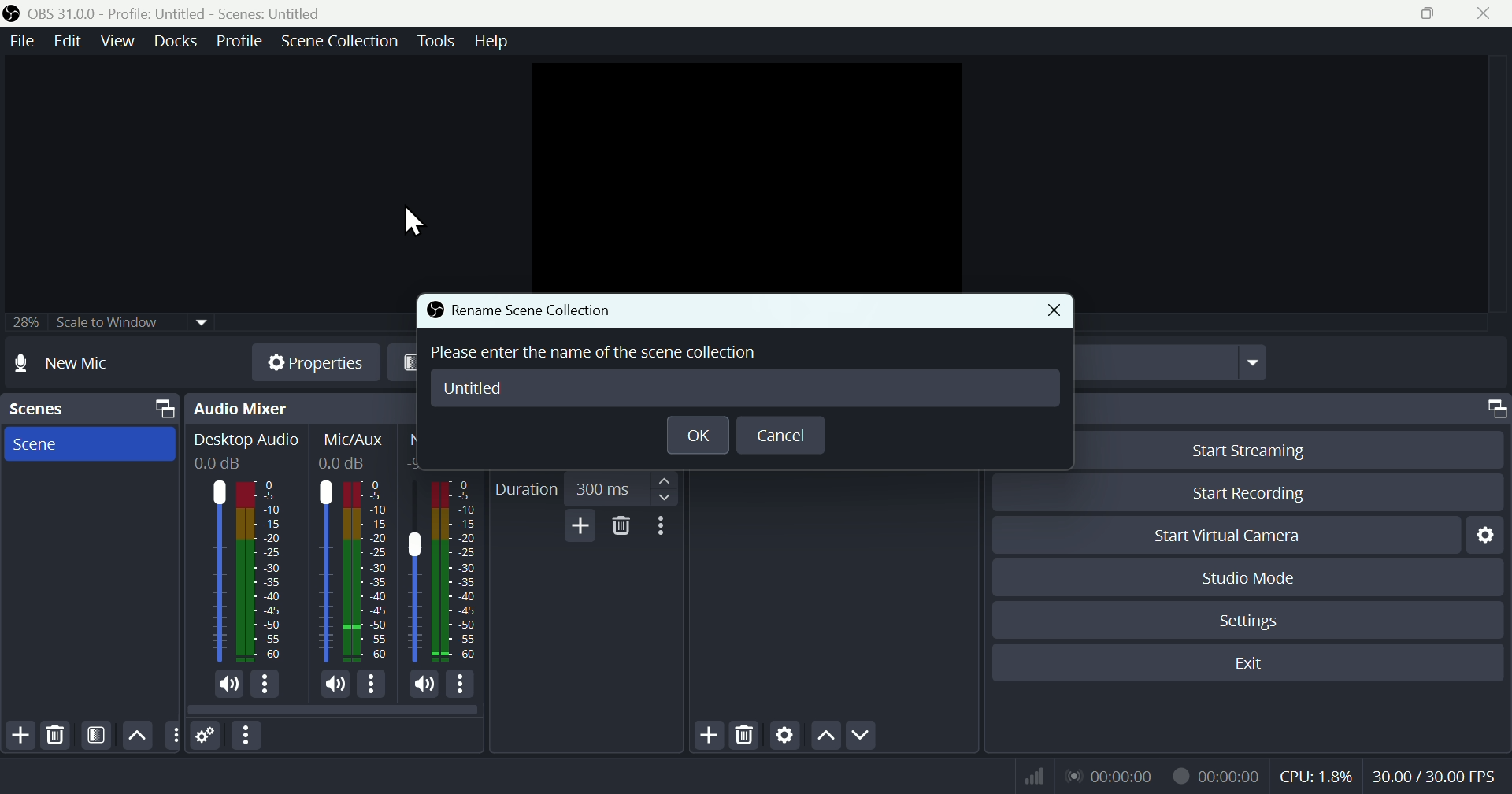 The height and width of the screenshot is (794, 1512). I want to click on Desktop Audio, so click(263, 572).